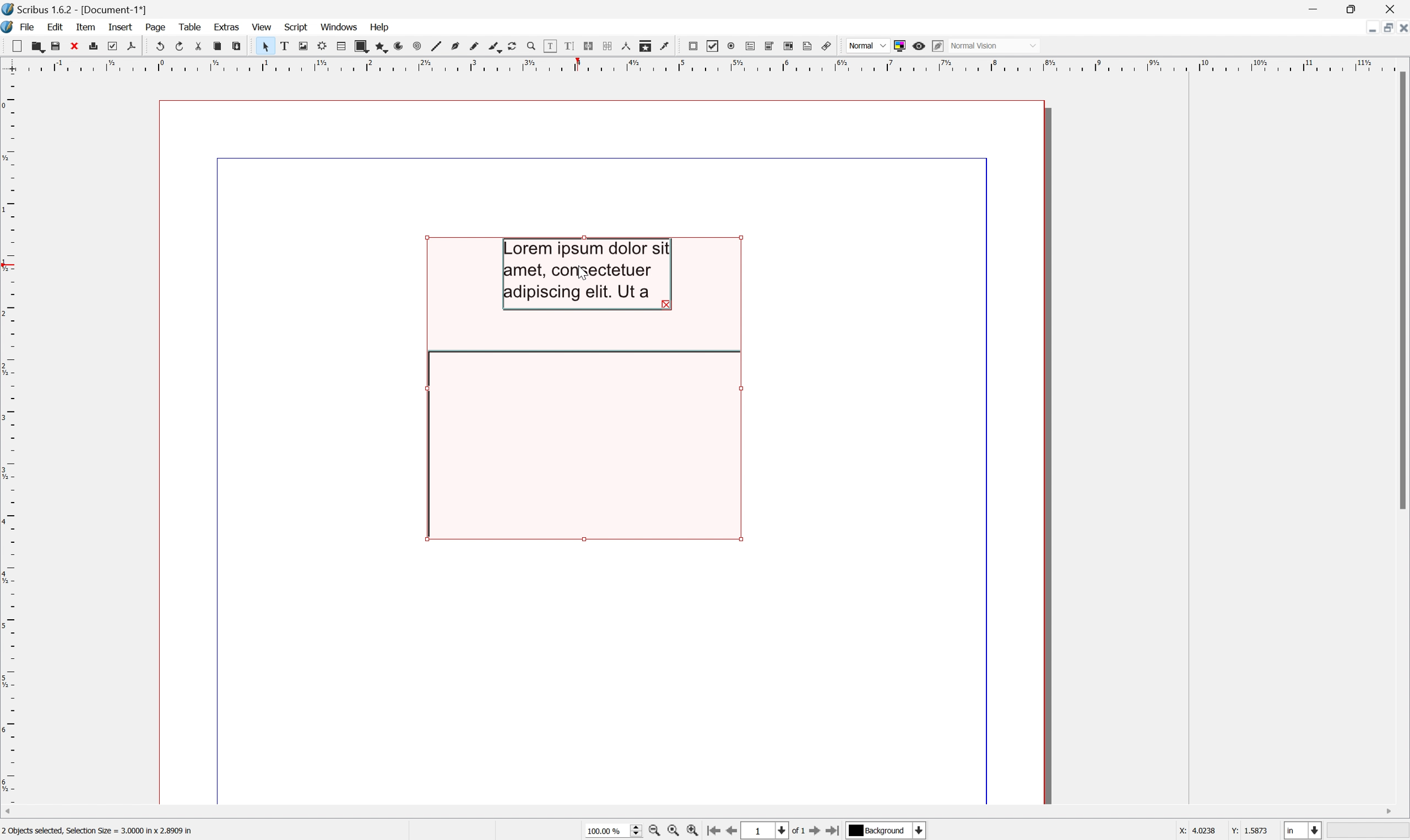 The width and height of the screenshot is (1410, 840). Describe the element at coordinates (704, 64) in the screenshot. I see `Scale` at that location.